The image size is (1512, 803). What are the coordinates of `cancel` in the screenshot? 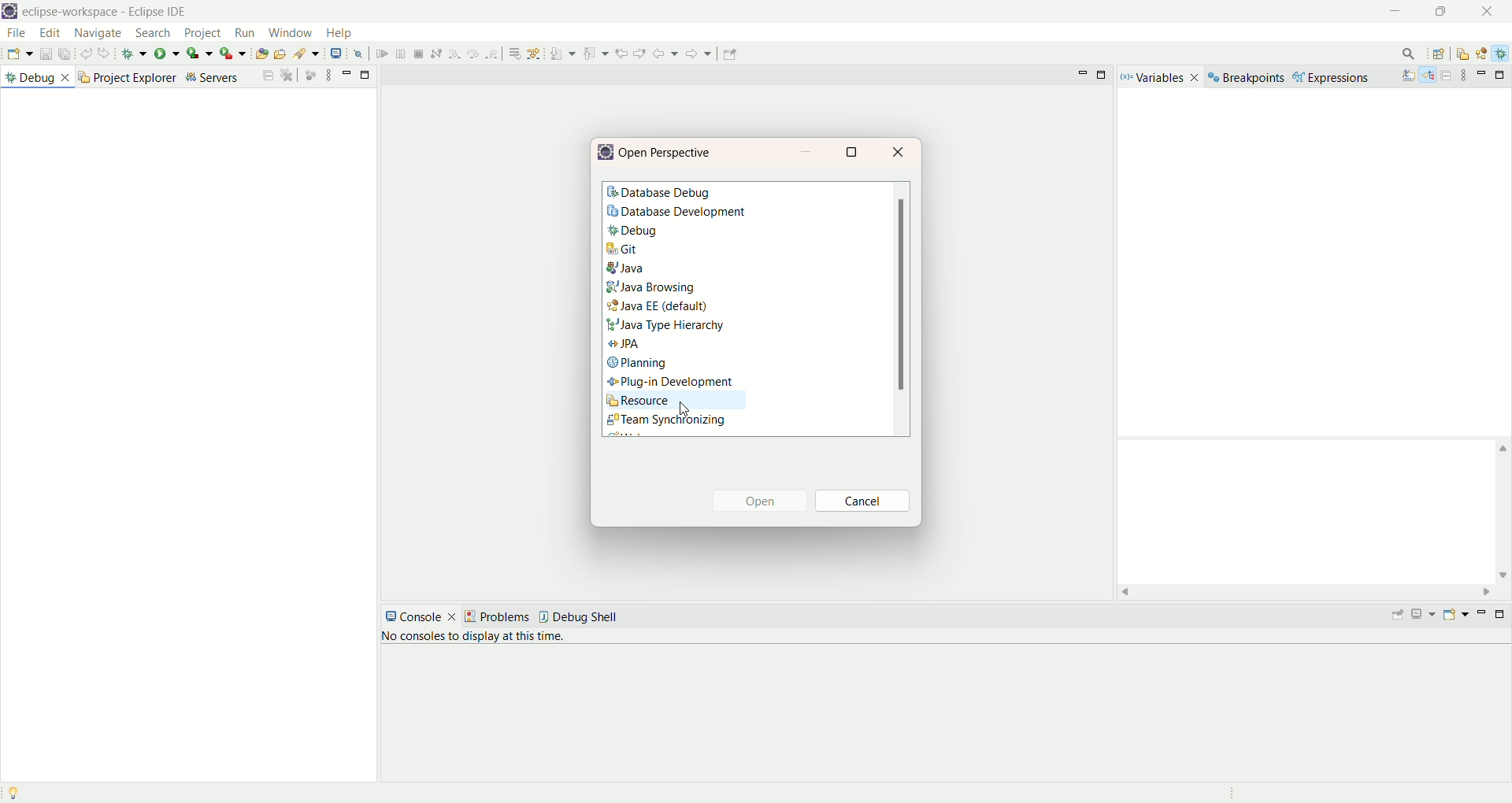 It's located at (865, 502).